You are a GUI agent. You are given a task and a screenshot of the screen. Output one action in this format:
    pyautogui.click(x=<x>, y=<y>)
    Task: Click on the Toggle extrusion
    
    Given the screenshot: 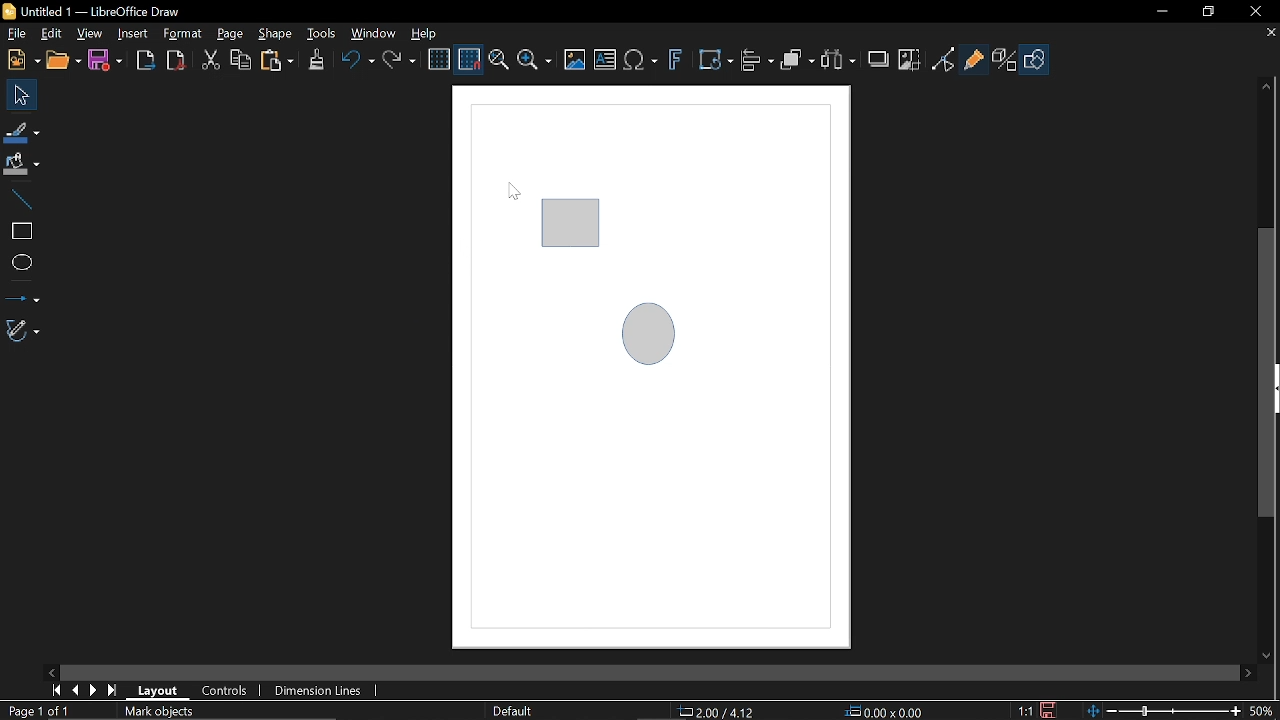 What is the action you would take?
    pyautogui.click(x=1003, y=59)
    